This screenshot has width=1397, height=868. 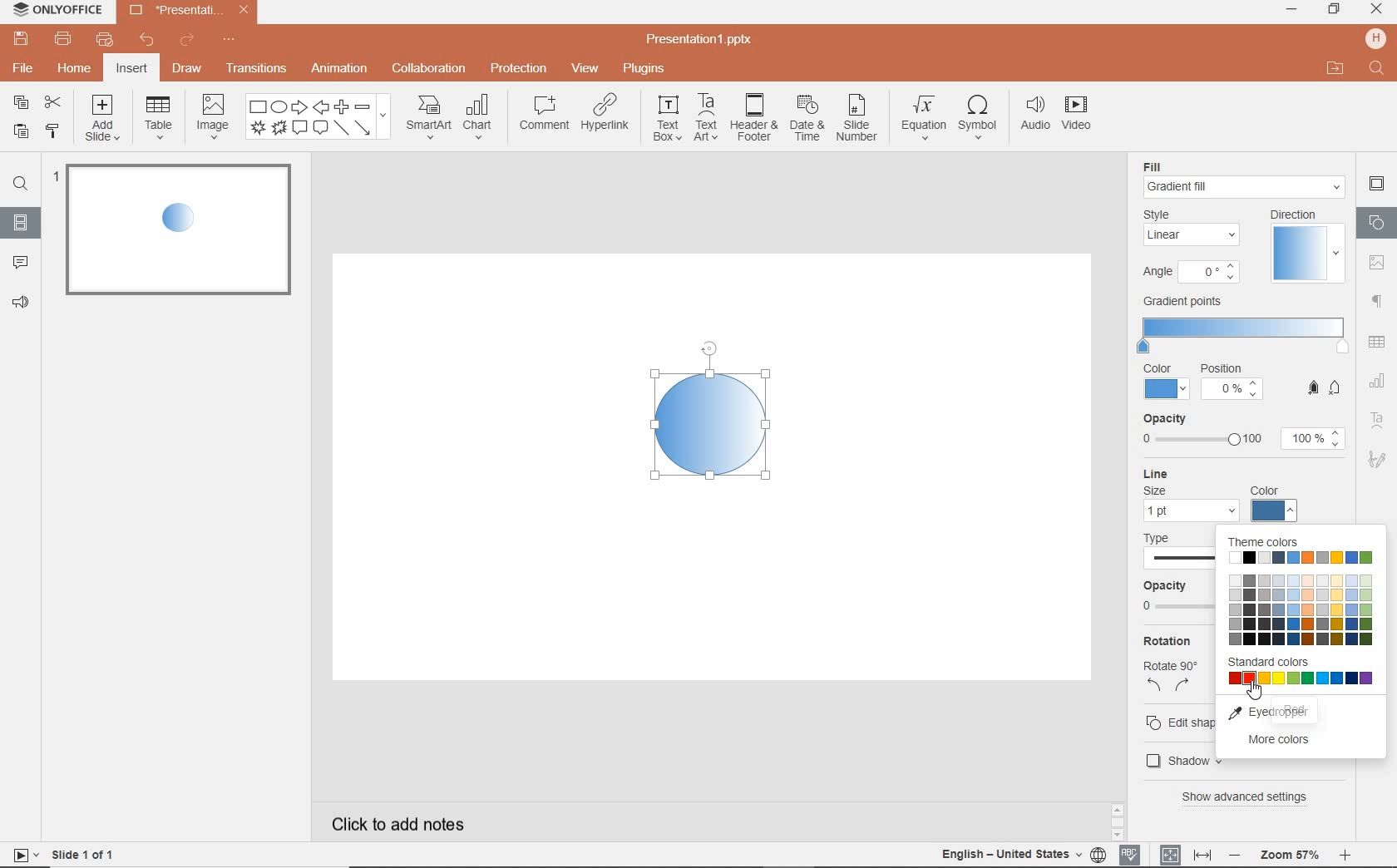 I want to click on spell checking, so click(x=1130, y=853).